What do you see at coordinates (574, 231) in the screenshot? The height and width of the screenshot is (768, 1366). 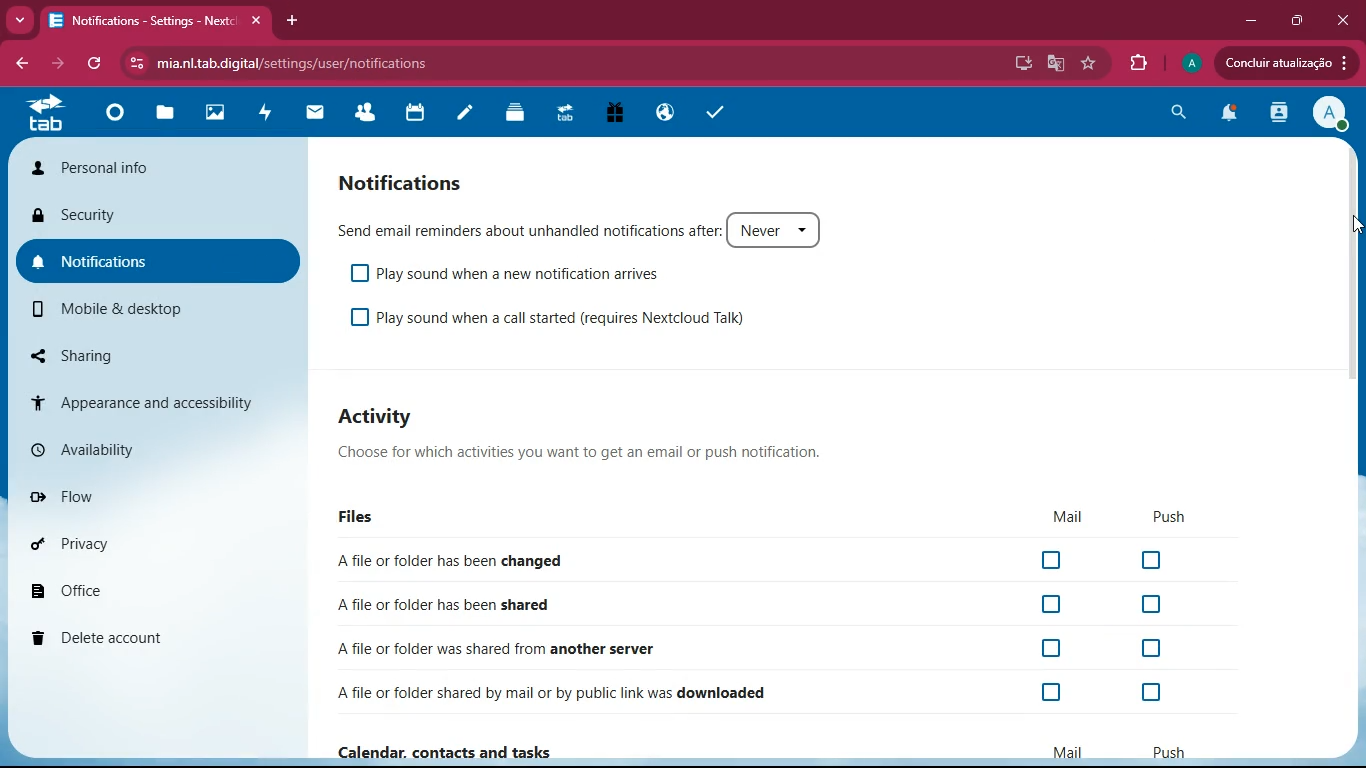 I see `Send email reminders about unhandled notifications after: Never` at bounding box center [574, 231].